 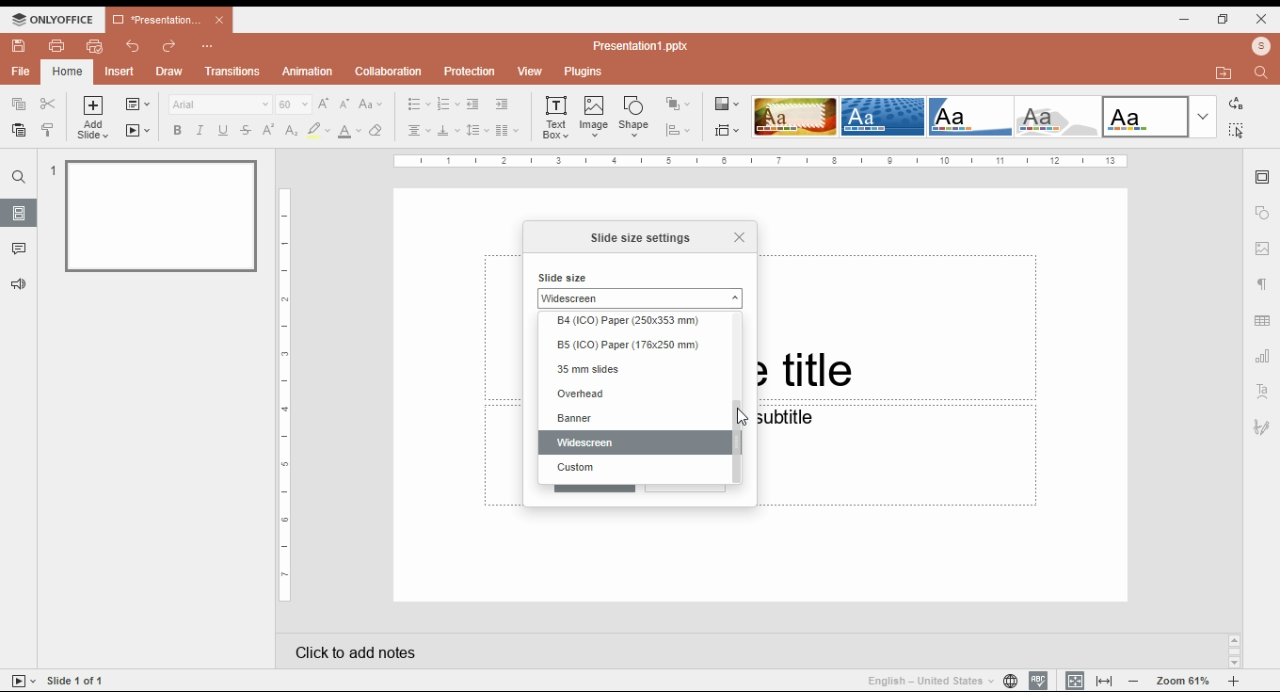 What do you see at coordinates (1262, 18) in the screenshot?
I see `close` at bounding box center [1262, 18].